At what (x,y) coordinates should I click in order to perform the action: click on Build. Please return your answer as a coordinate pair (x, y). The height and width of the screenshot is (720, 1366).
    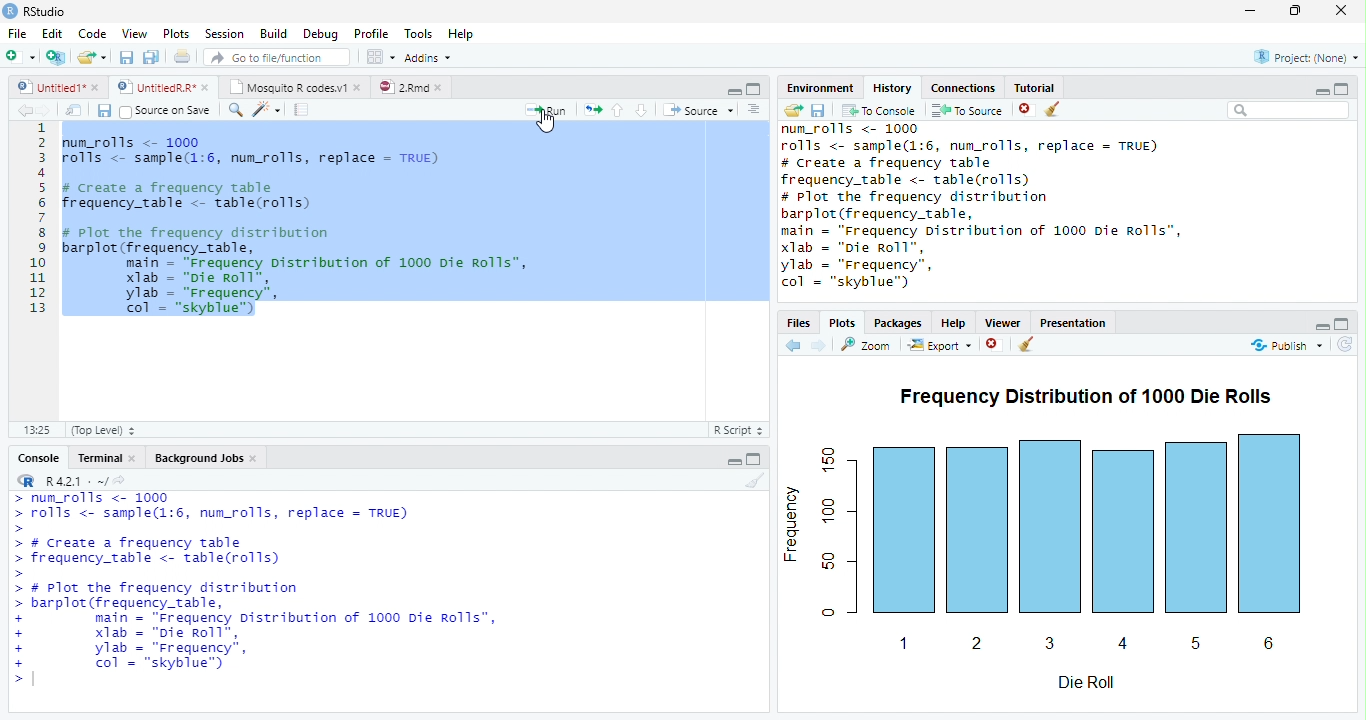
    Looking at the image, I should click on (275, 33).